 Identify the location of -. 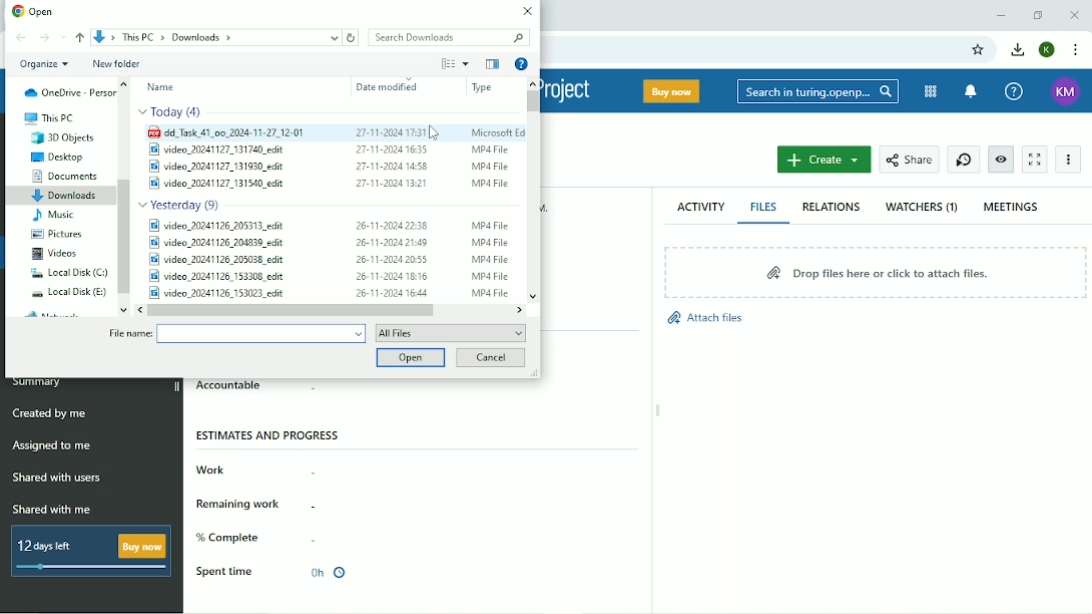
(315, 538).